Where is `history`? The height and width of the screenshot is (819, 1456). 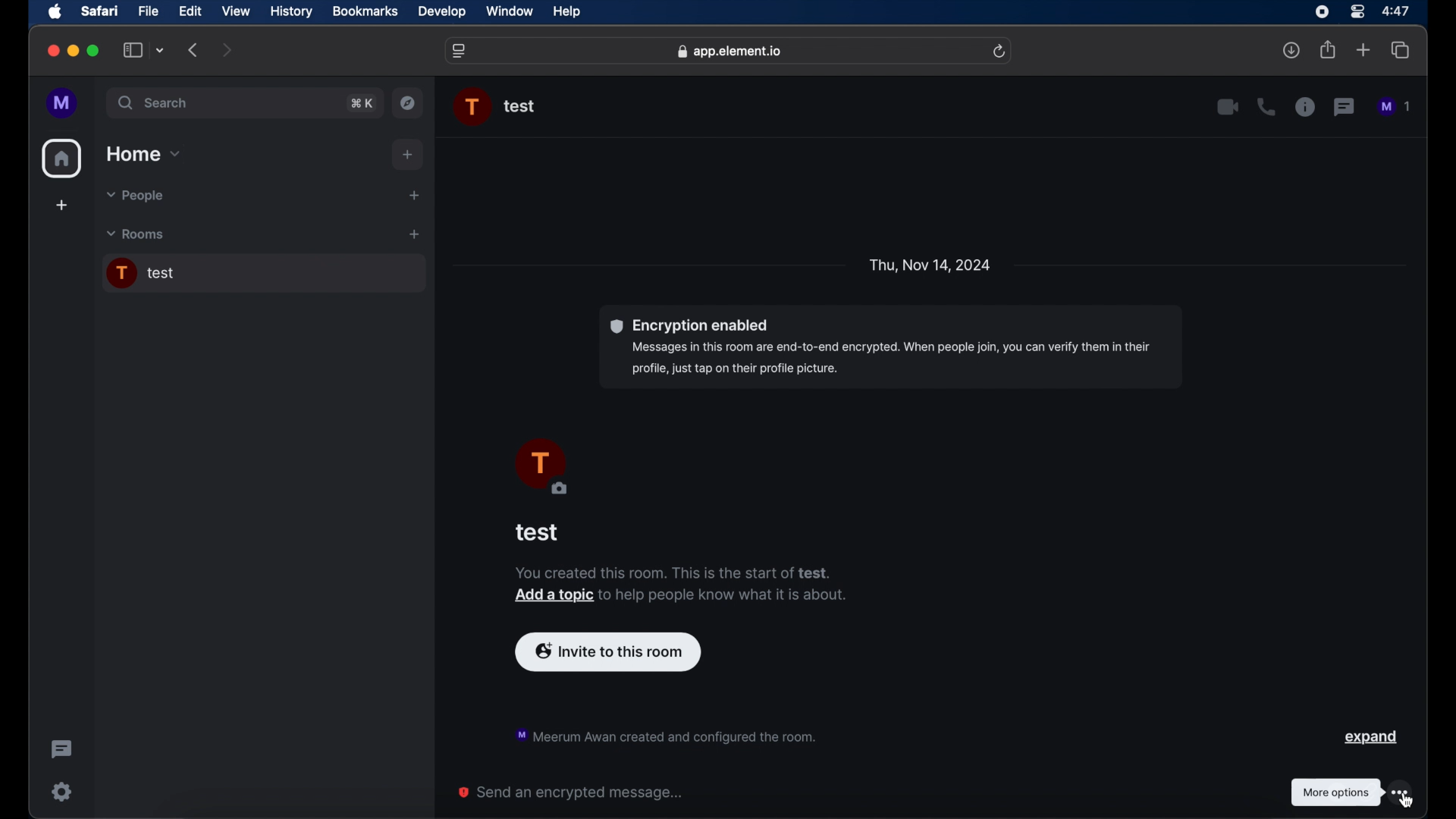
history is located at coordinates (291, 11).